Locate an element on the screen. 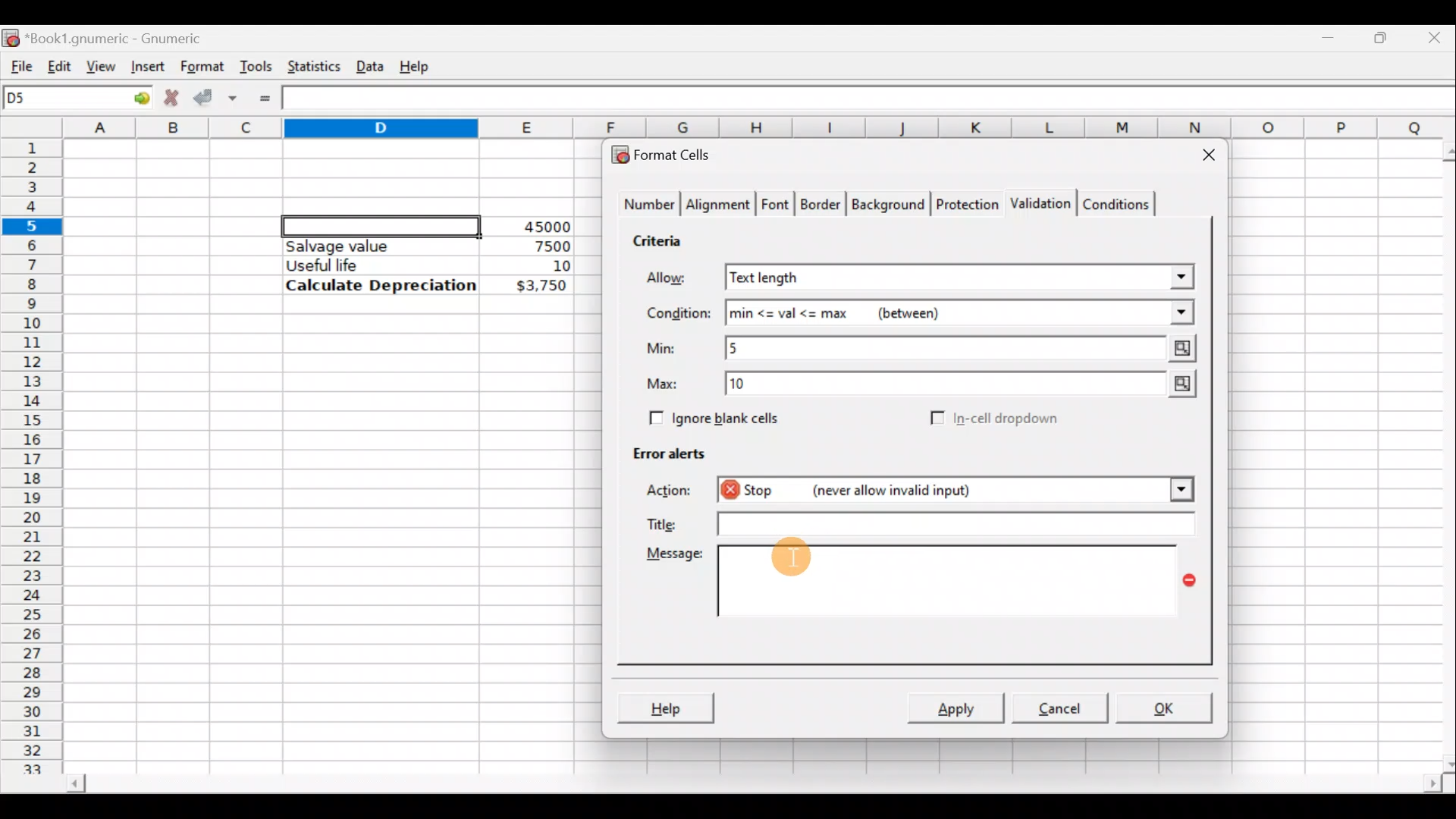 The image size is (1456, 819). Action drop down is located at coordinates (1169, 490).